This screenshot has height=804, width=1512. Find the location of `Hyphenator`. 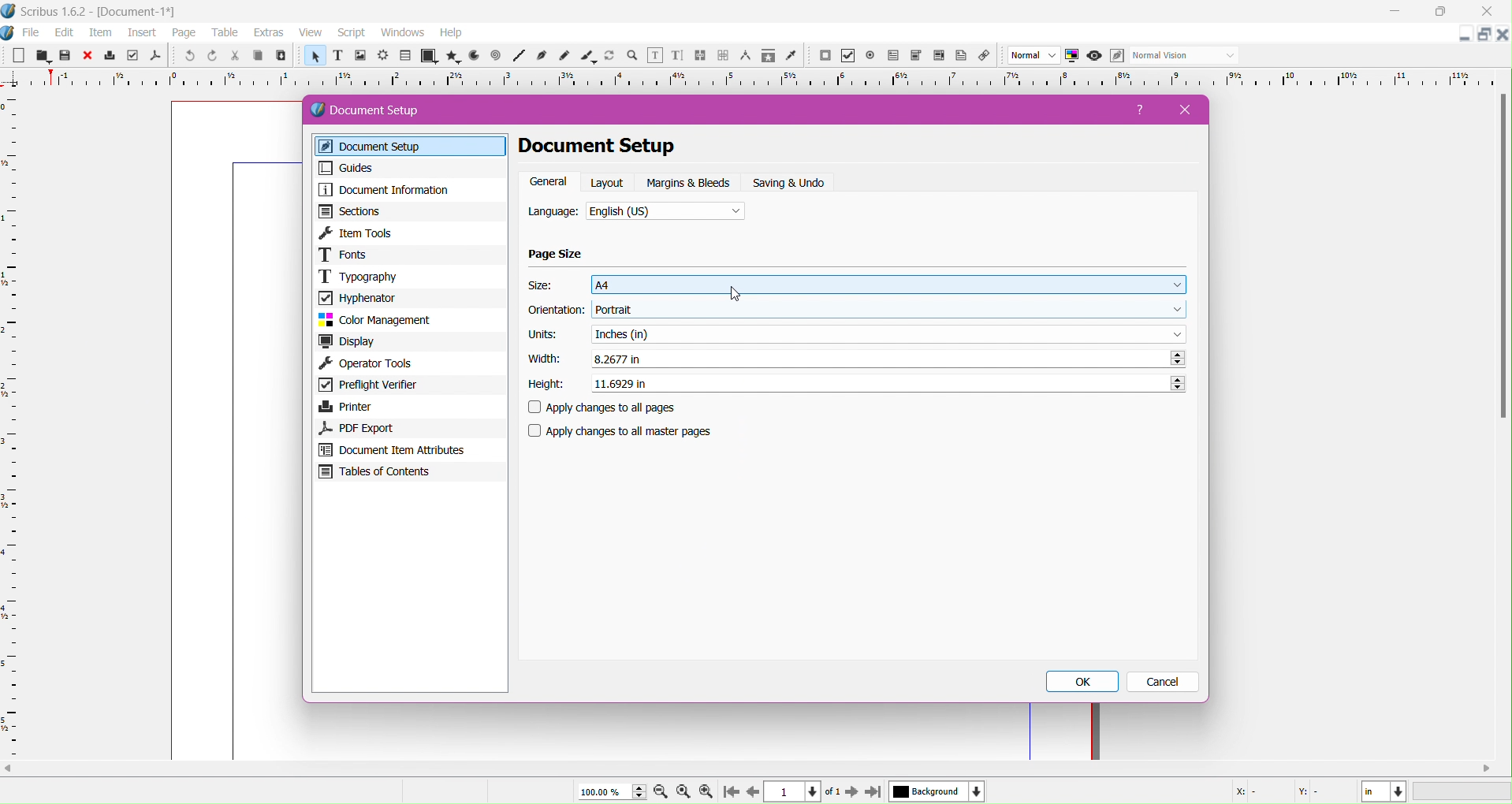

Hyphenator is located at coordinates (409, 297).